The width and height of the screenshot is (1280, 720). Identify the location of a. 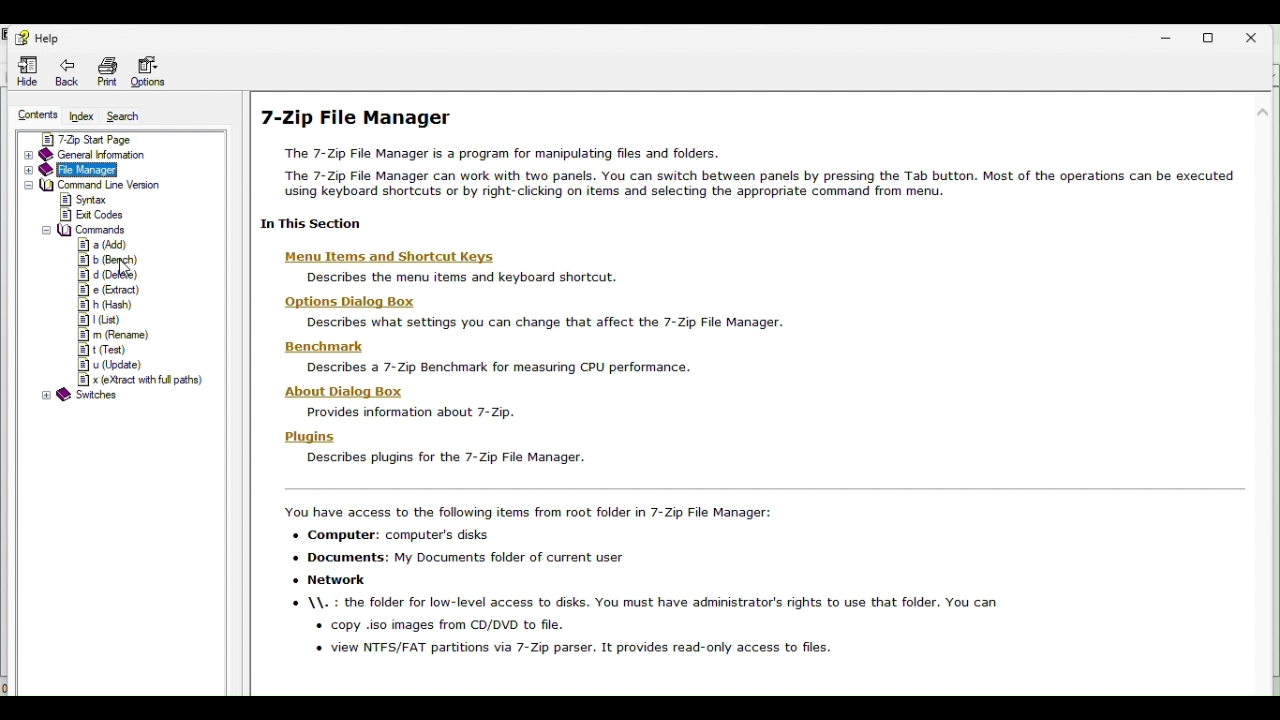
(109, 246).